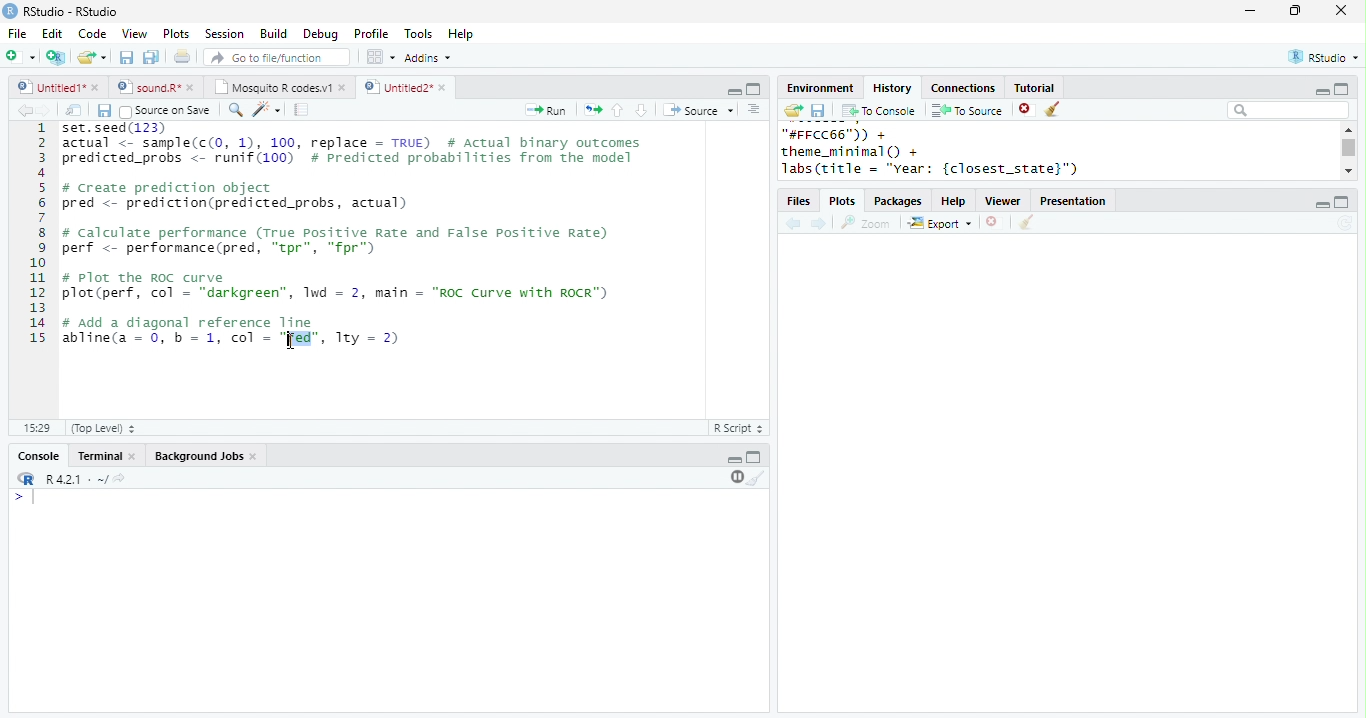  Describe the element at coordinates (75, 12) in the screenshot. I see `RStudio-RStudio` at that location.